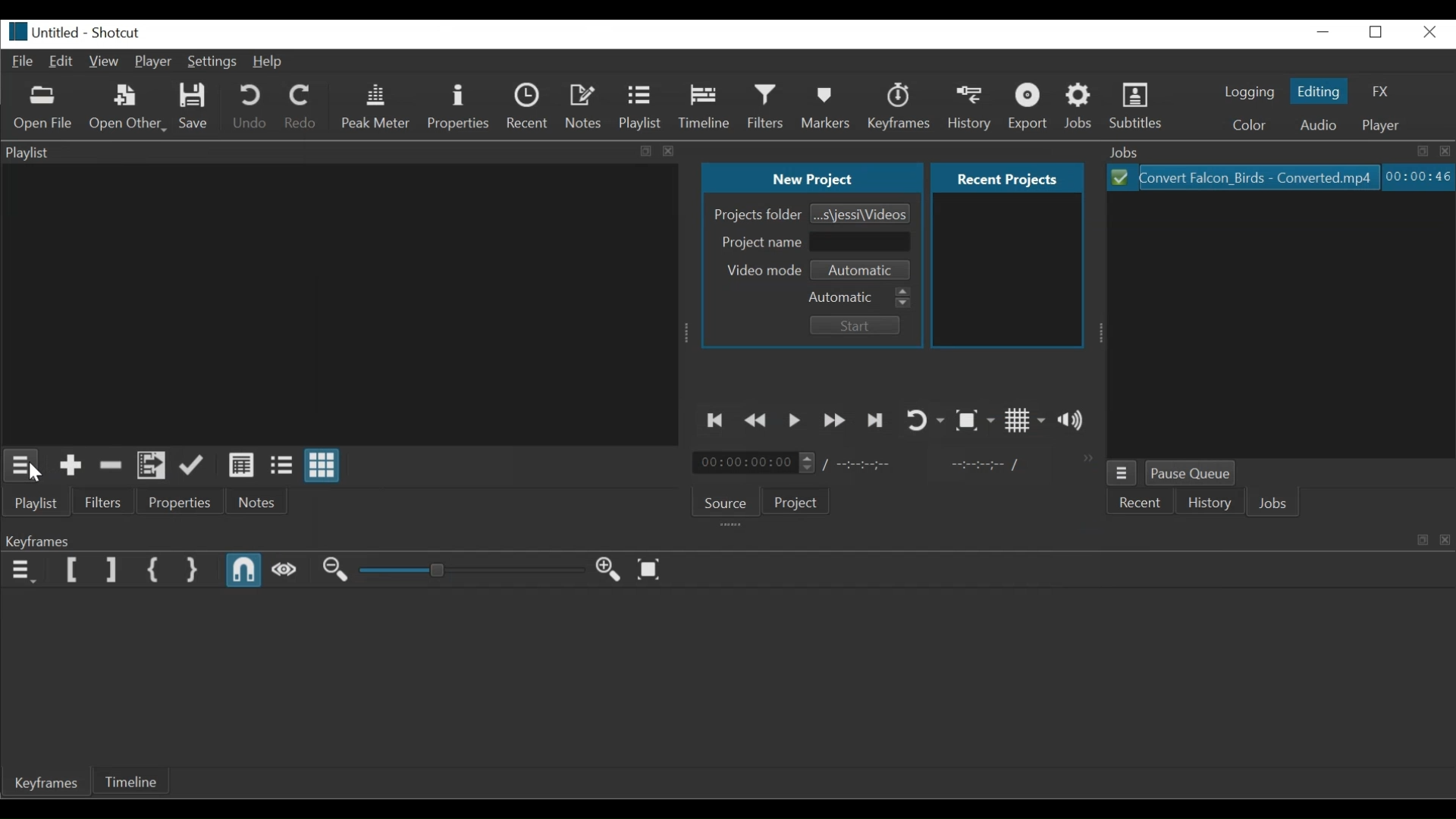  What do you see at coordinates (1009, 178) in the screenshot?
I see `Recent projects Tab` at bounding box center [1009, 178].